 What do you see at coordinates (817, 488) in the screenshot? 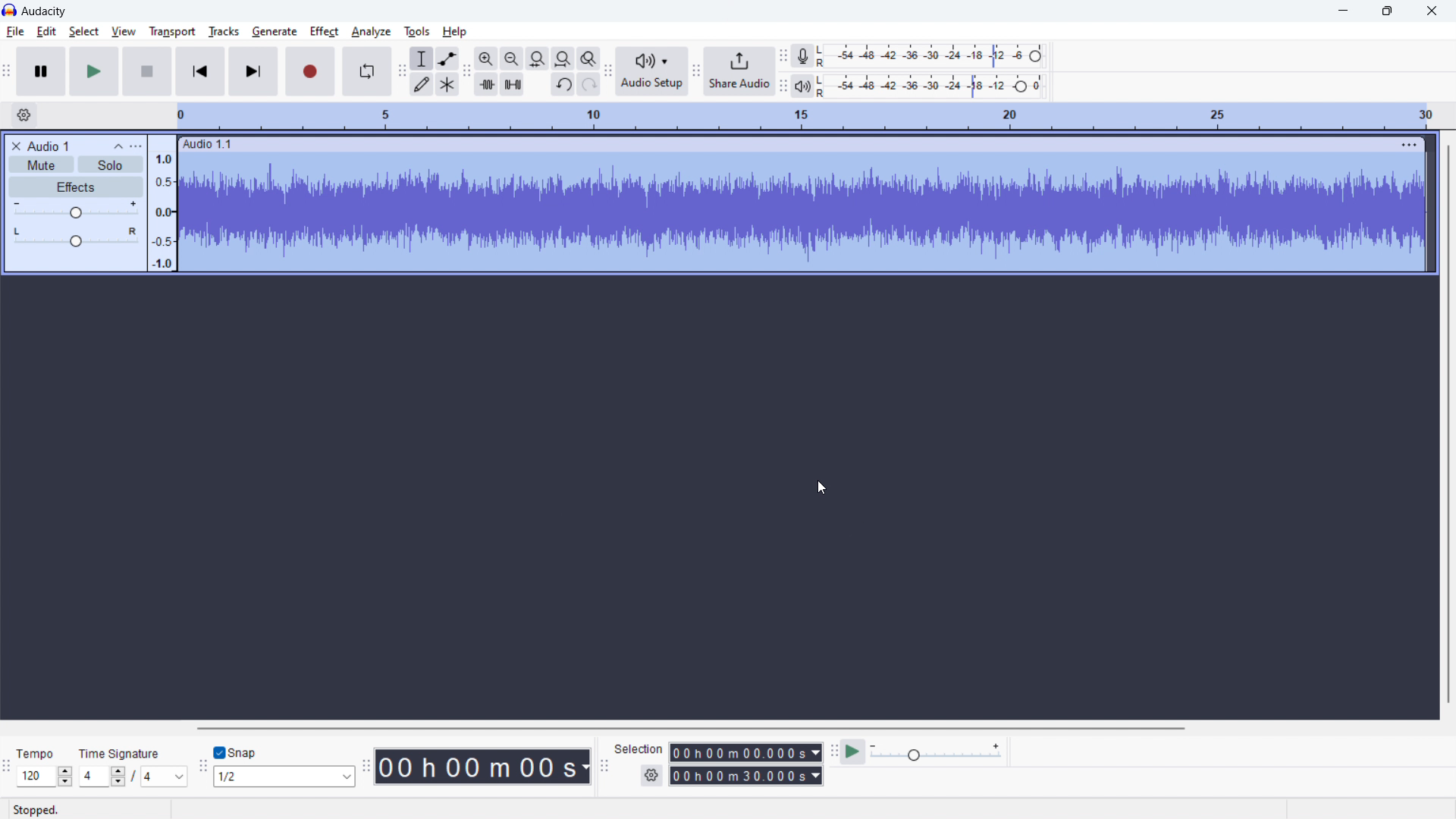
I see `Cursor` at bounding box center [817, 488].